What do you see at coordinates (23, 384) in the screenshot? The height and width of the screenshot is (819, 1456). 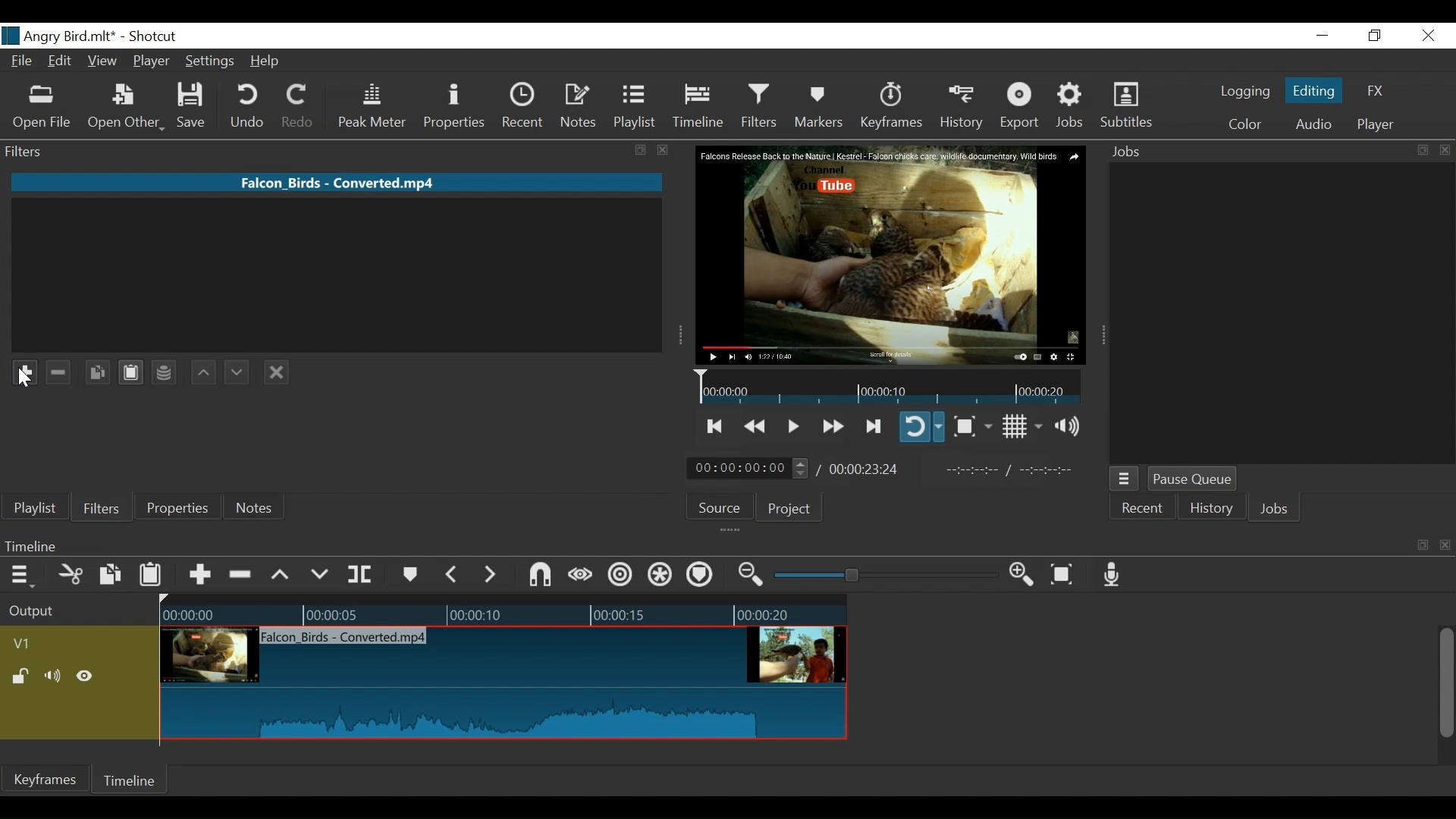 I see `Cursor` at bounding box center [23, 384].